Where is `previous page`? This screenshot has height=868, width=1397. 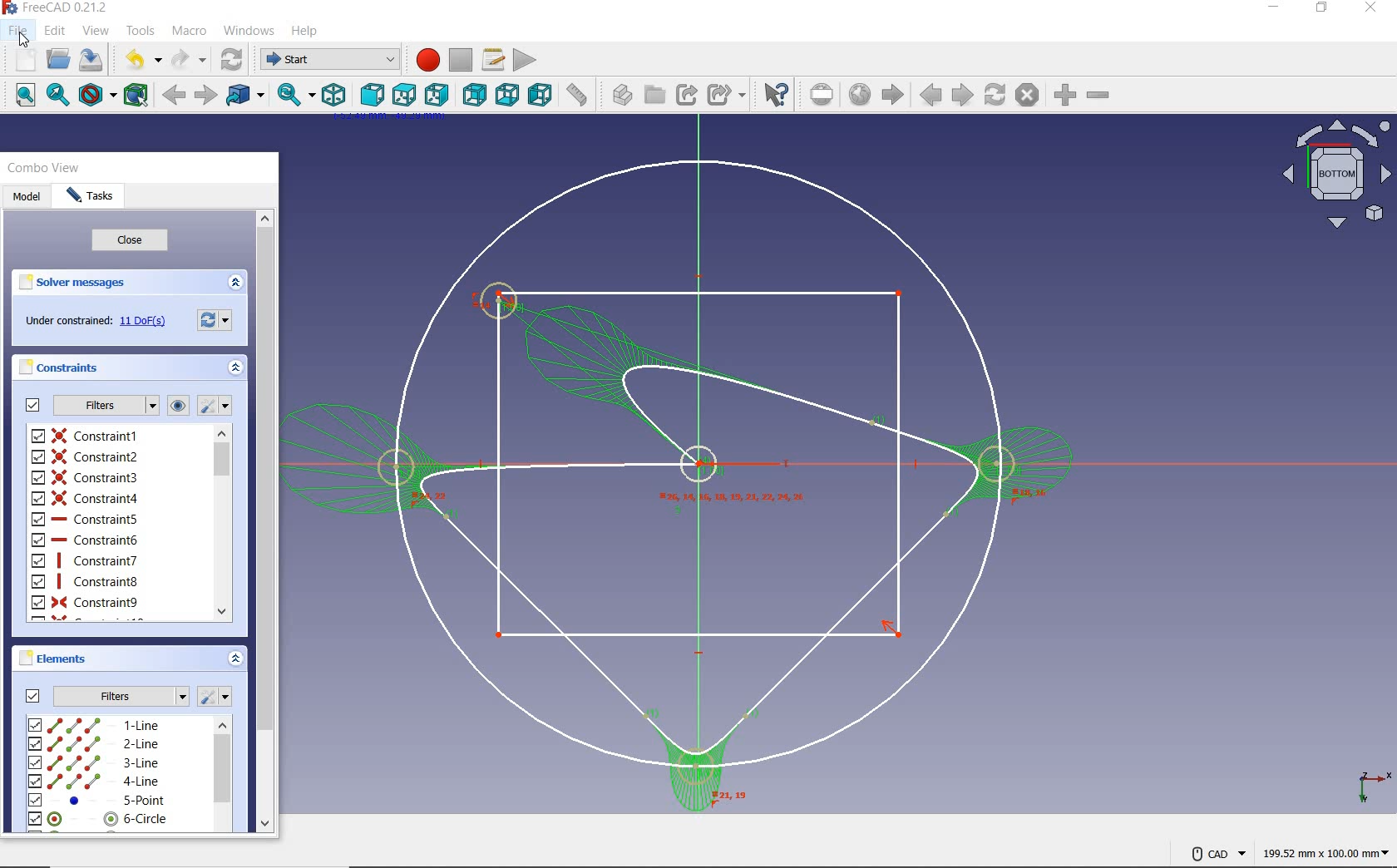 previous page is located at coordinates (931, 97).